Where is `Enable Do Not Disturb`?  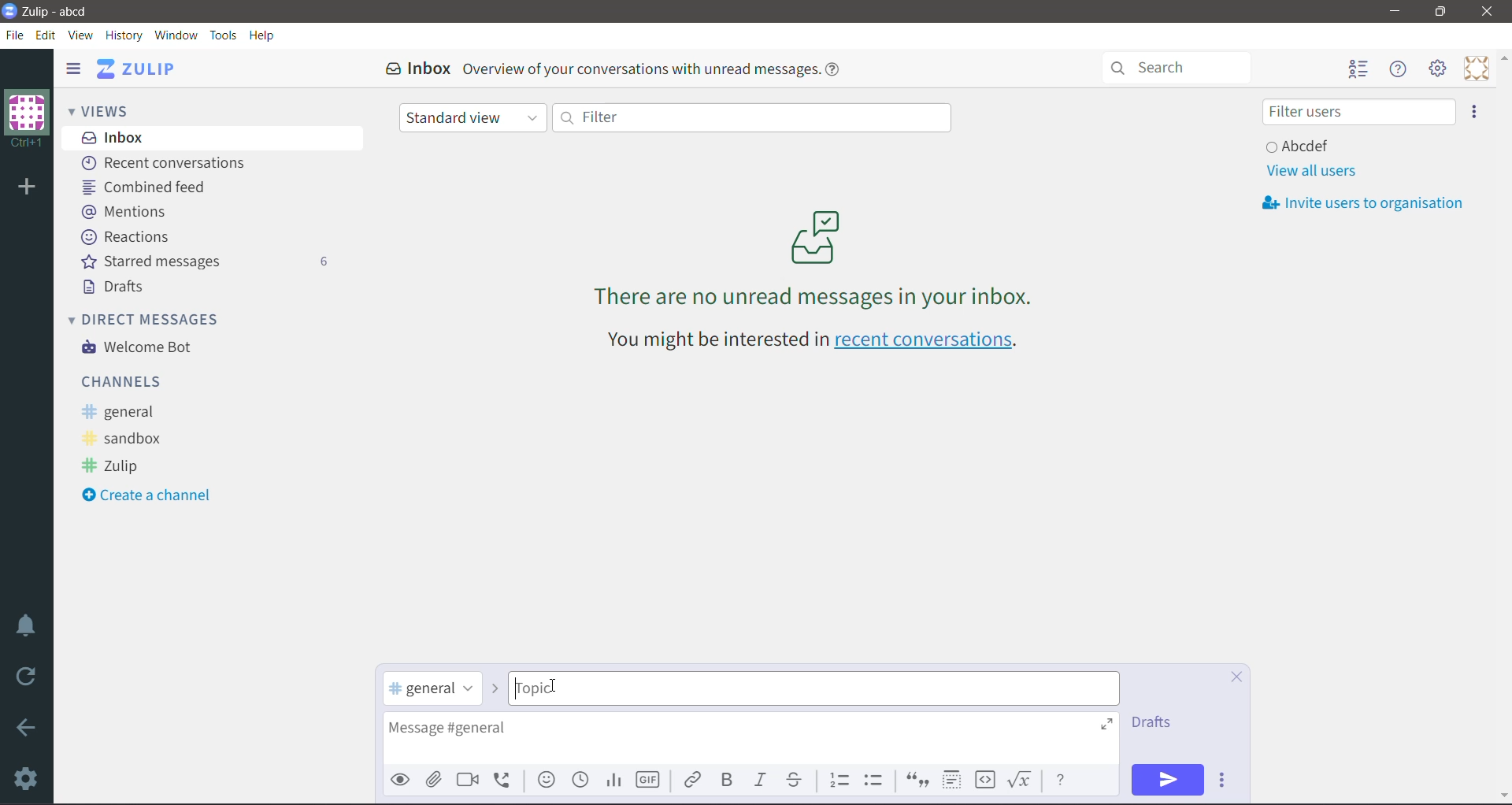
Enable Do Not Disturb is located at coordinates (27, 625).